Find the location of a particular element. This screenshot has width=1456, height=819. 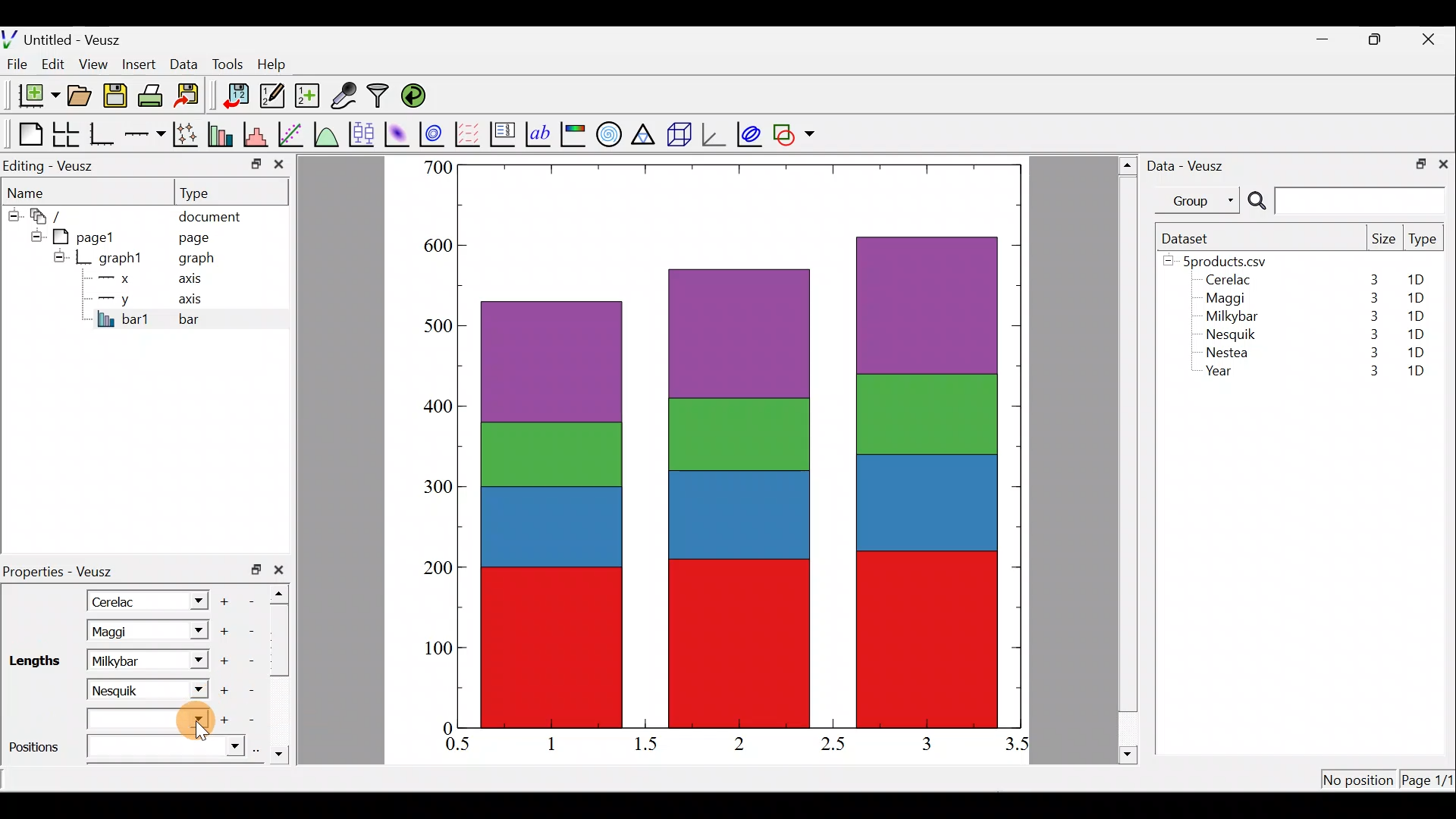

Maggi is located at coordinates (127, 631).